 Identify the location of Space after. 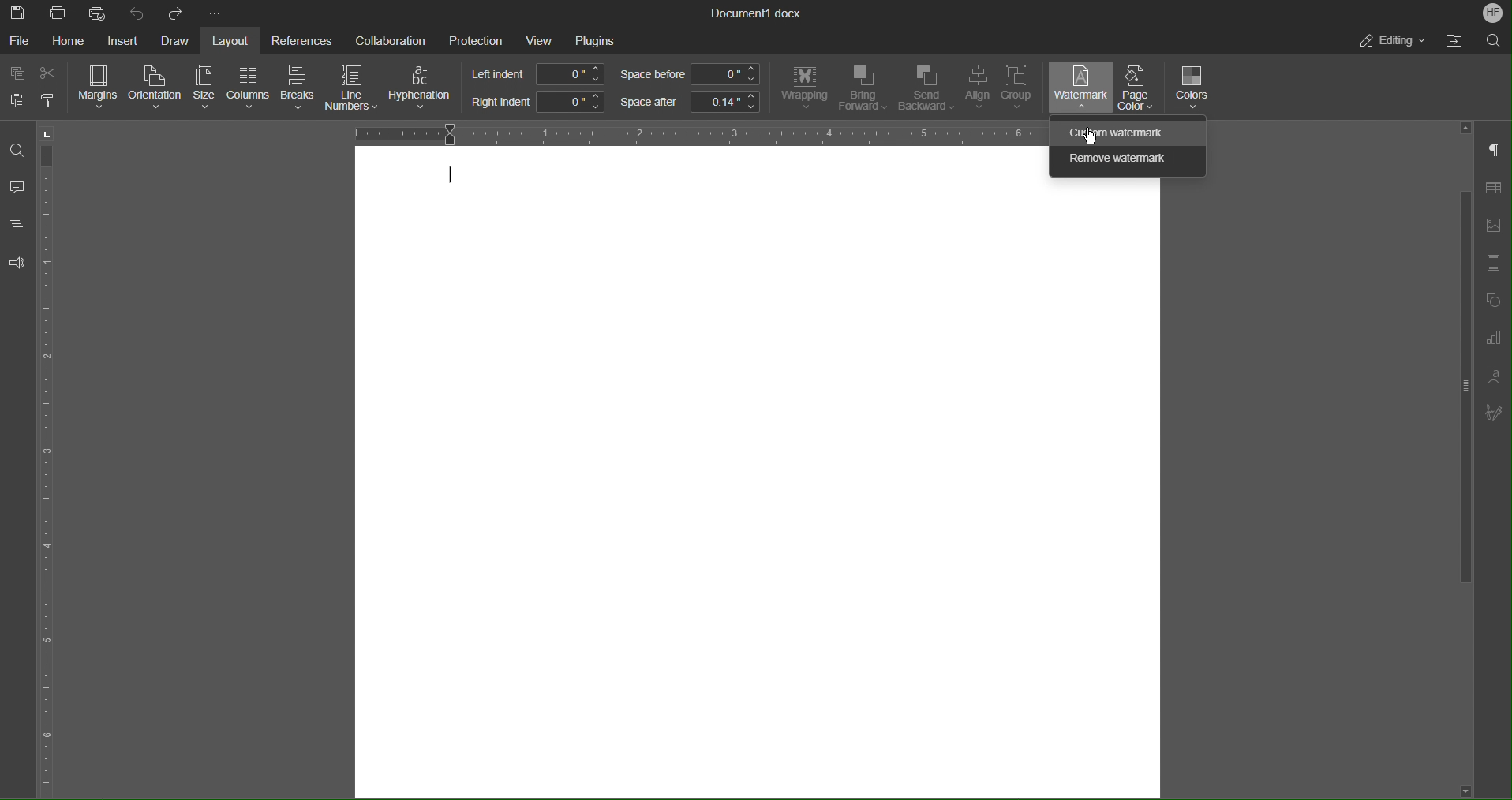
(689, 102).